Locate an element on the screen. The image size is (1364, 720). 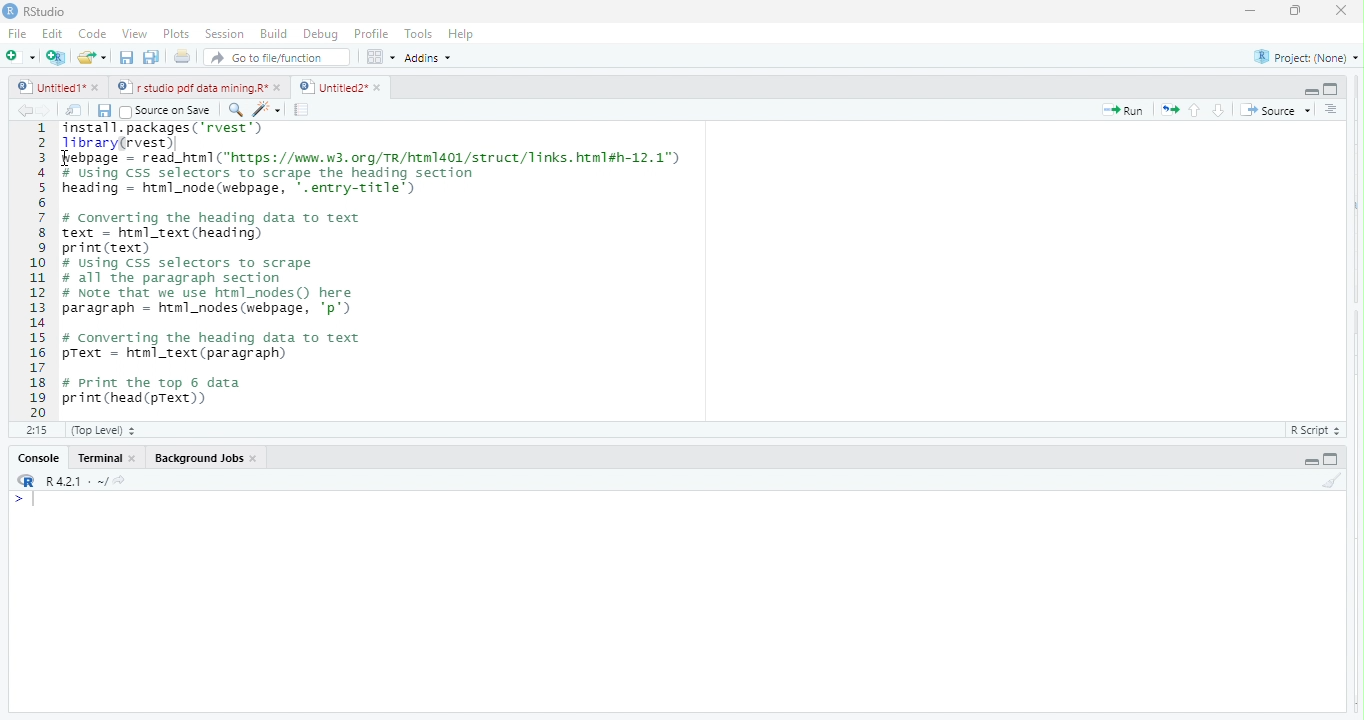
Console is located at coordinates (38, 459).